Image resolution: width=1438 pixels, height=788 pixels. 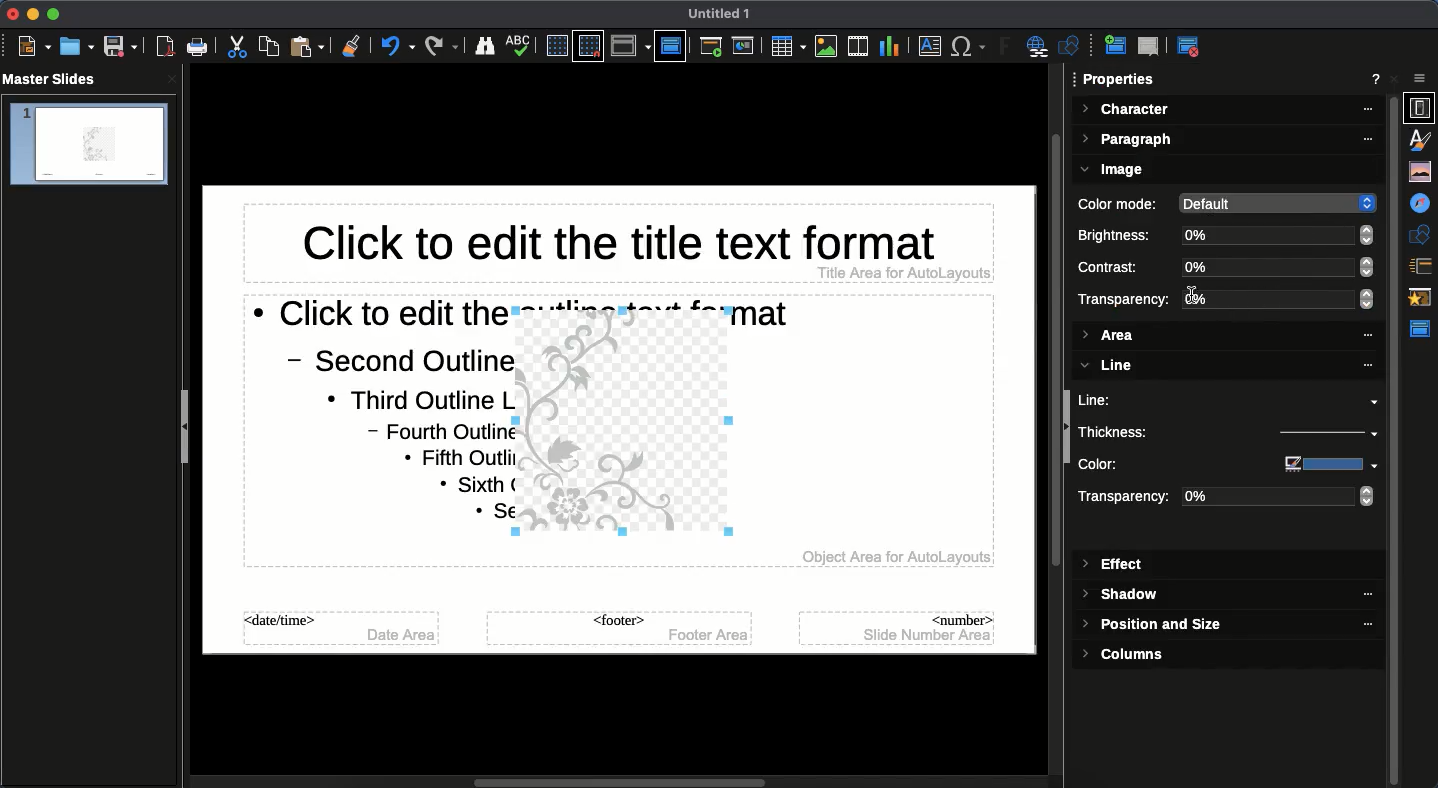 I want to click on vertical scroll bar, so click(x=1049, y=422).